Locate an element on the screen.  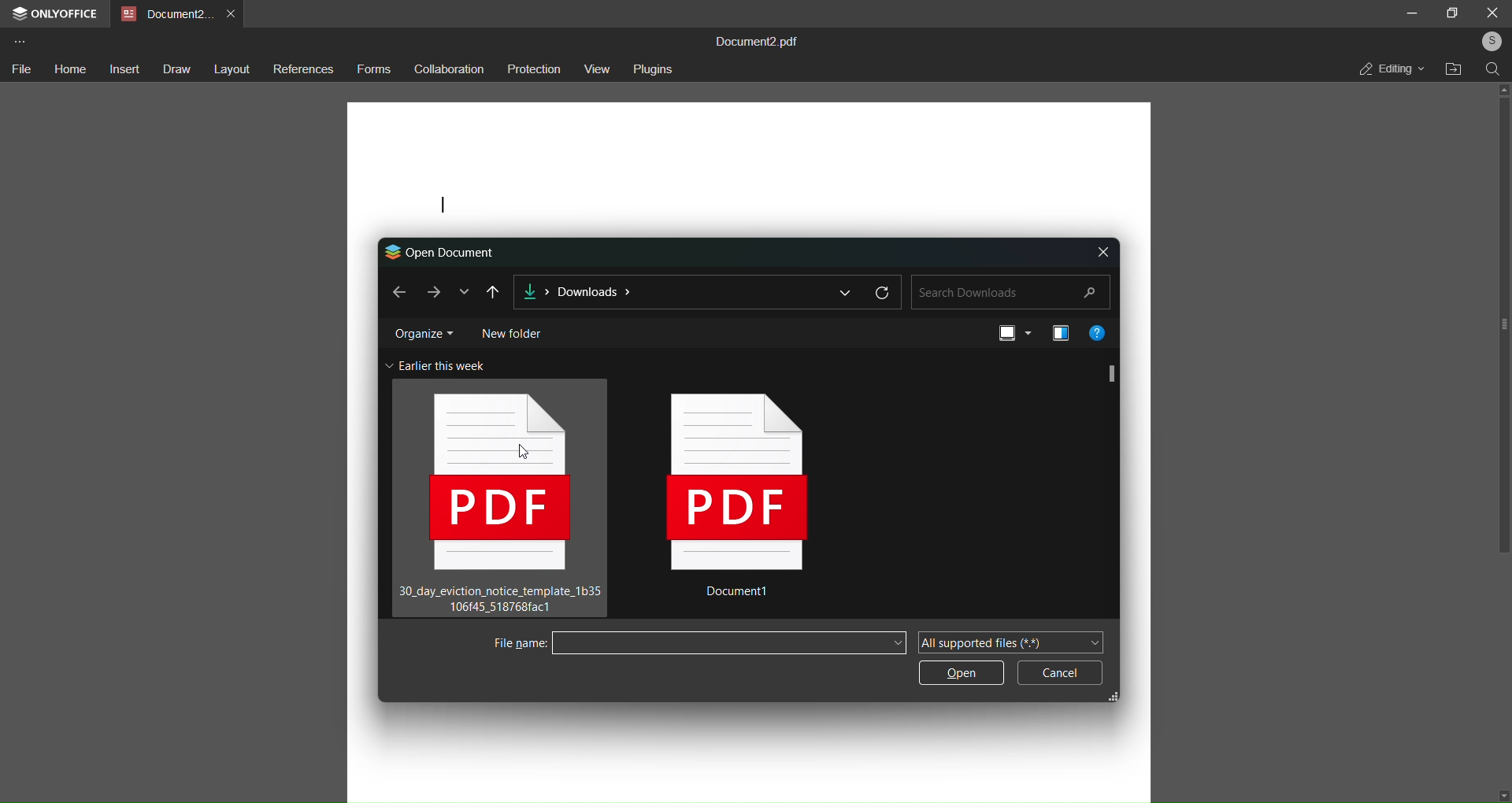
up is located at coordinates (1501, 88).